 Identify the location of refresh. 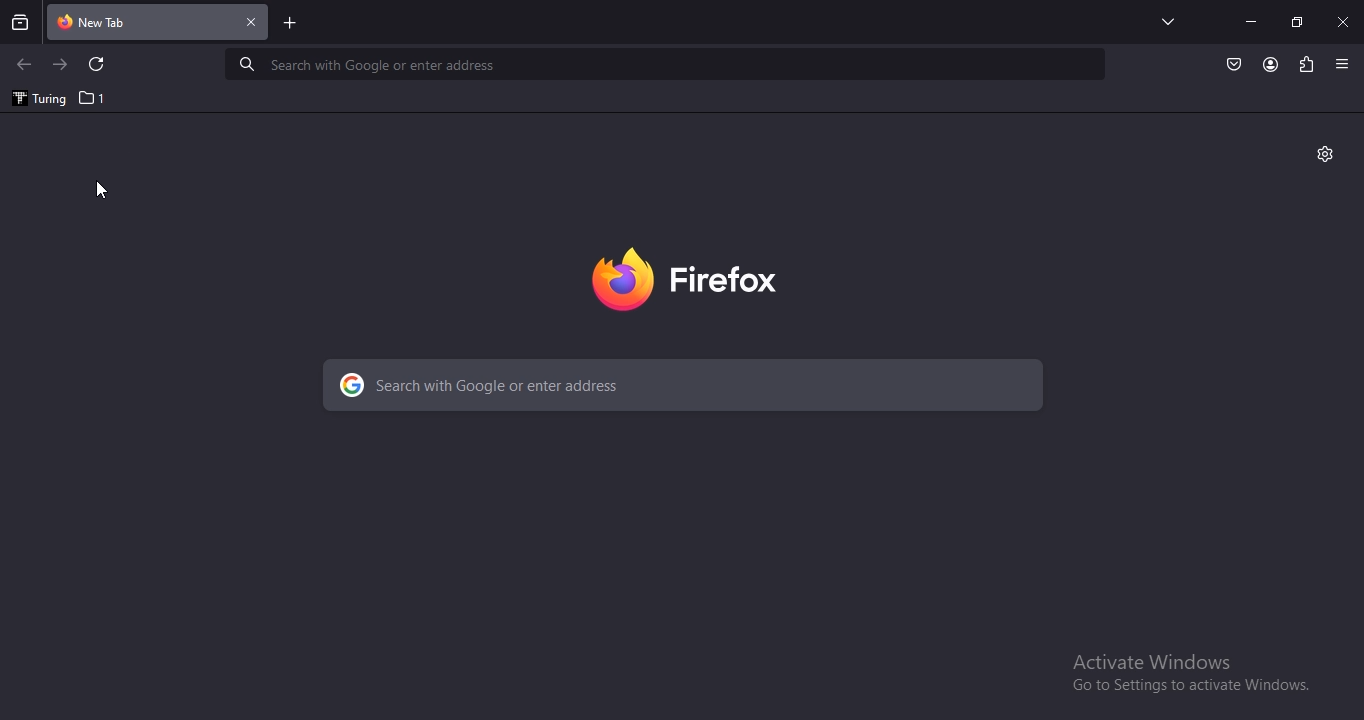
(98, 65).